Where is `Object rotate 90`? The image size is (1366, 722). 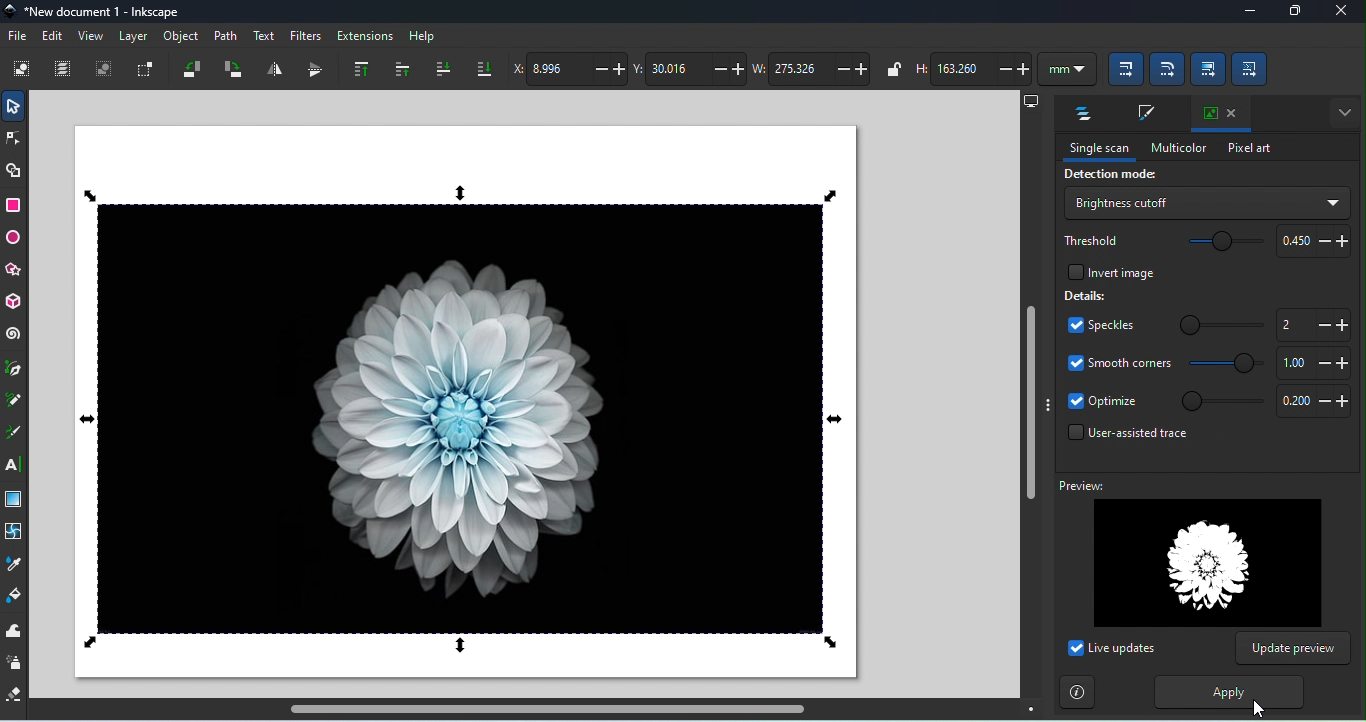 Object rotate 90 is located at coordinates (233, 70).